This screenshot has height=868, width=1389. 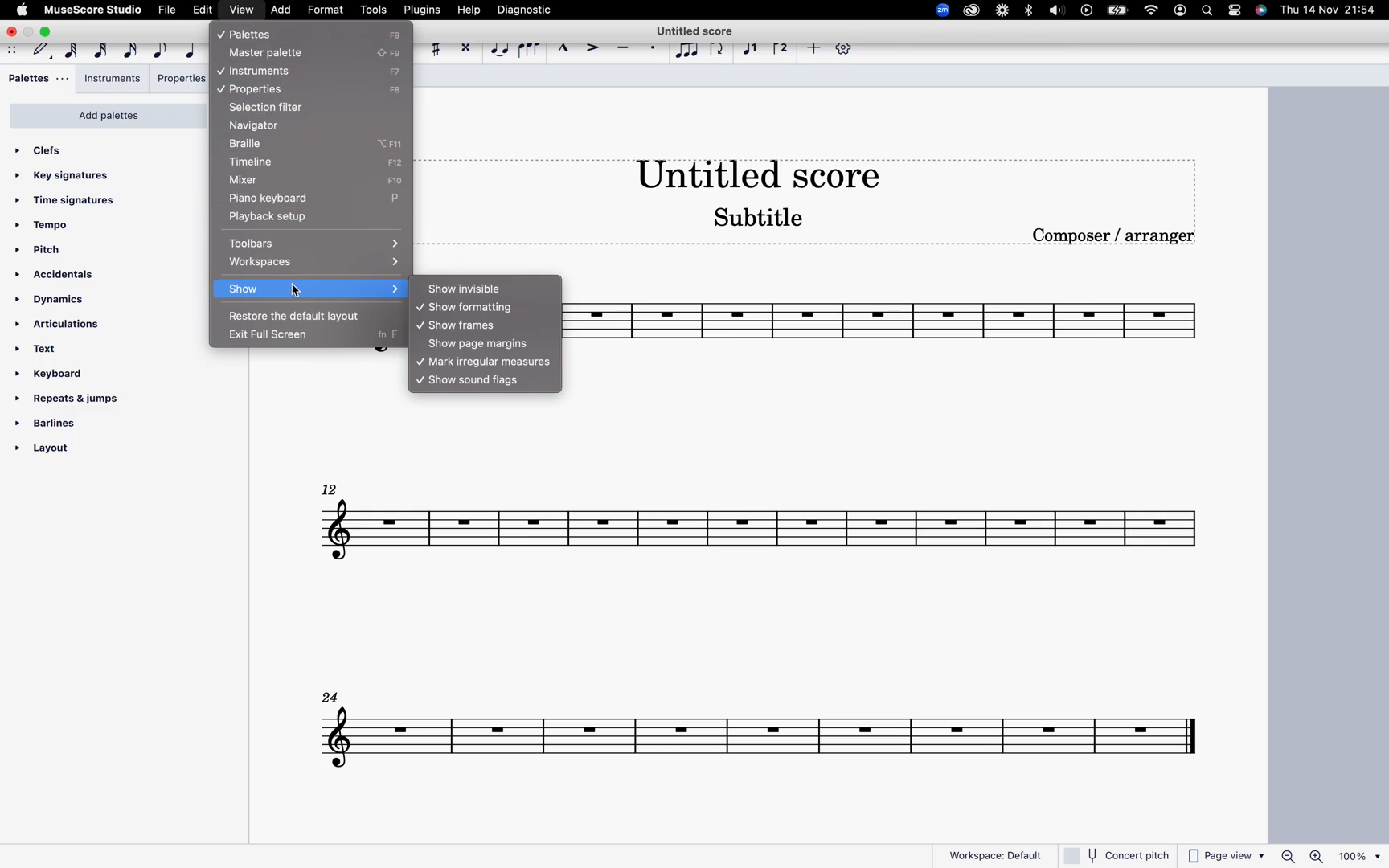 What do you see at coordinates (324, 10) in the screenshot?
I see `format` at bounding box center [324, 10].